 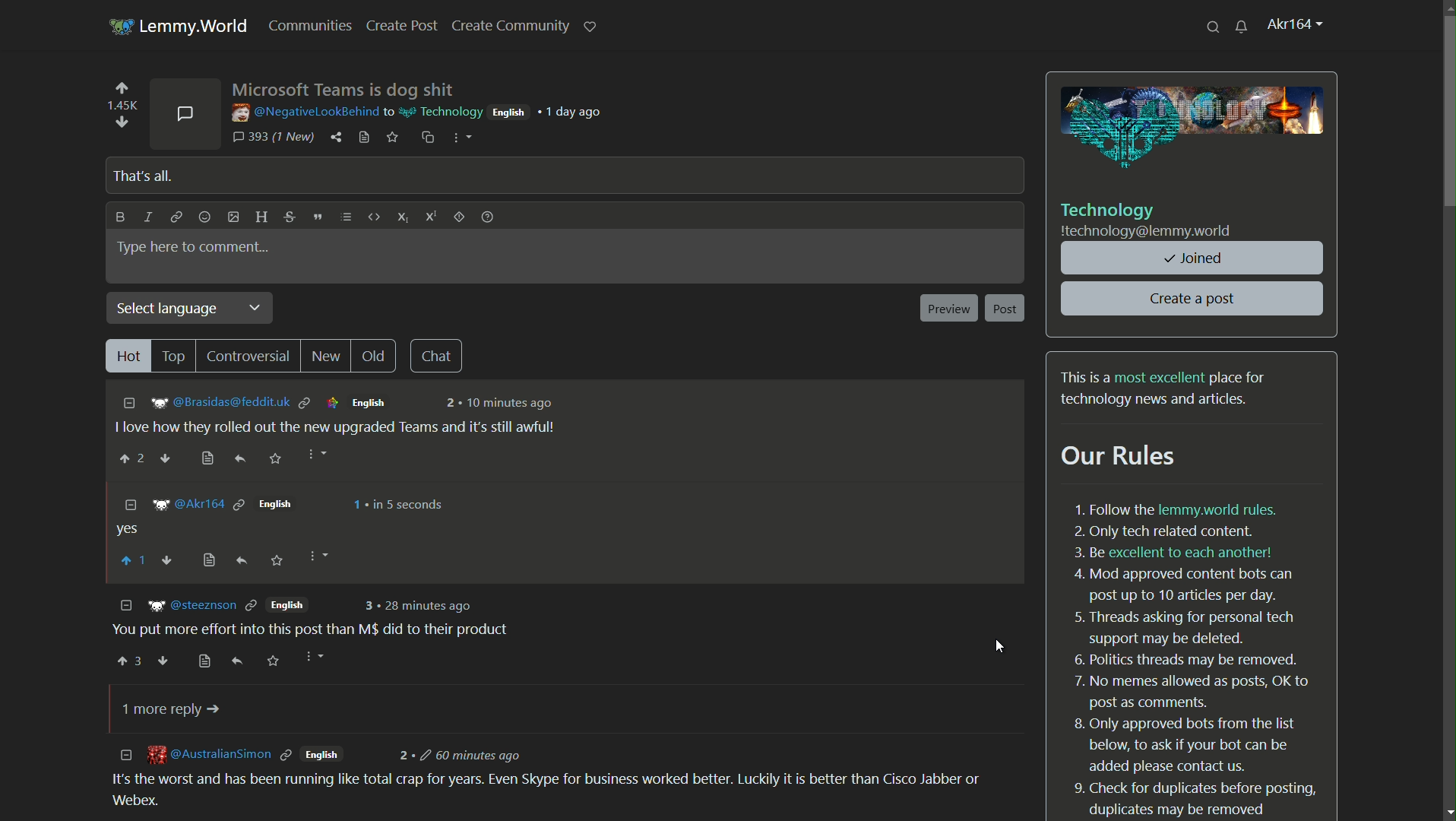 What do you see at coordinates (275, 458) in the screenshot?
I see `save` at bounding box center [275, 458].